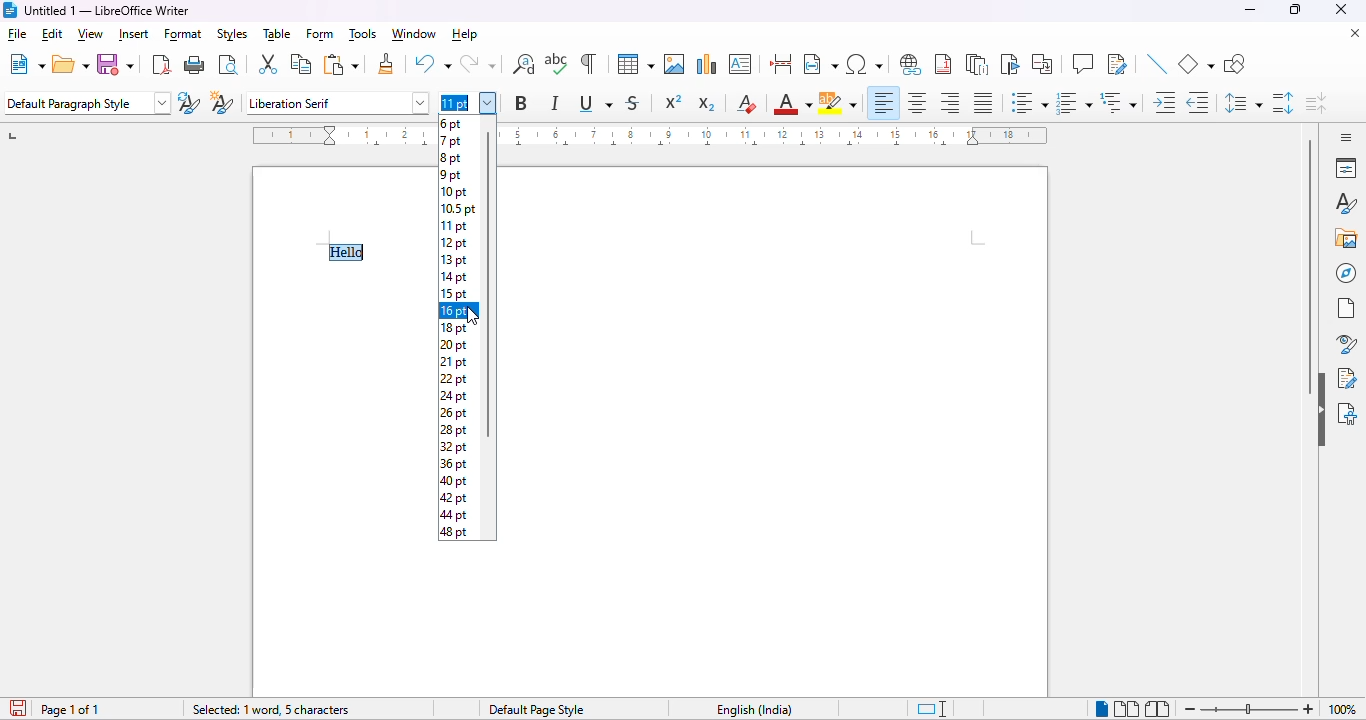 The height and width of the screenshot is (720, 1366). What do you see at coordinates (1349, 378) in the screenshot?
I see `manage changes` at bounding box center [1349, 378].